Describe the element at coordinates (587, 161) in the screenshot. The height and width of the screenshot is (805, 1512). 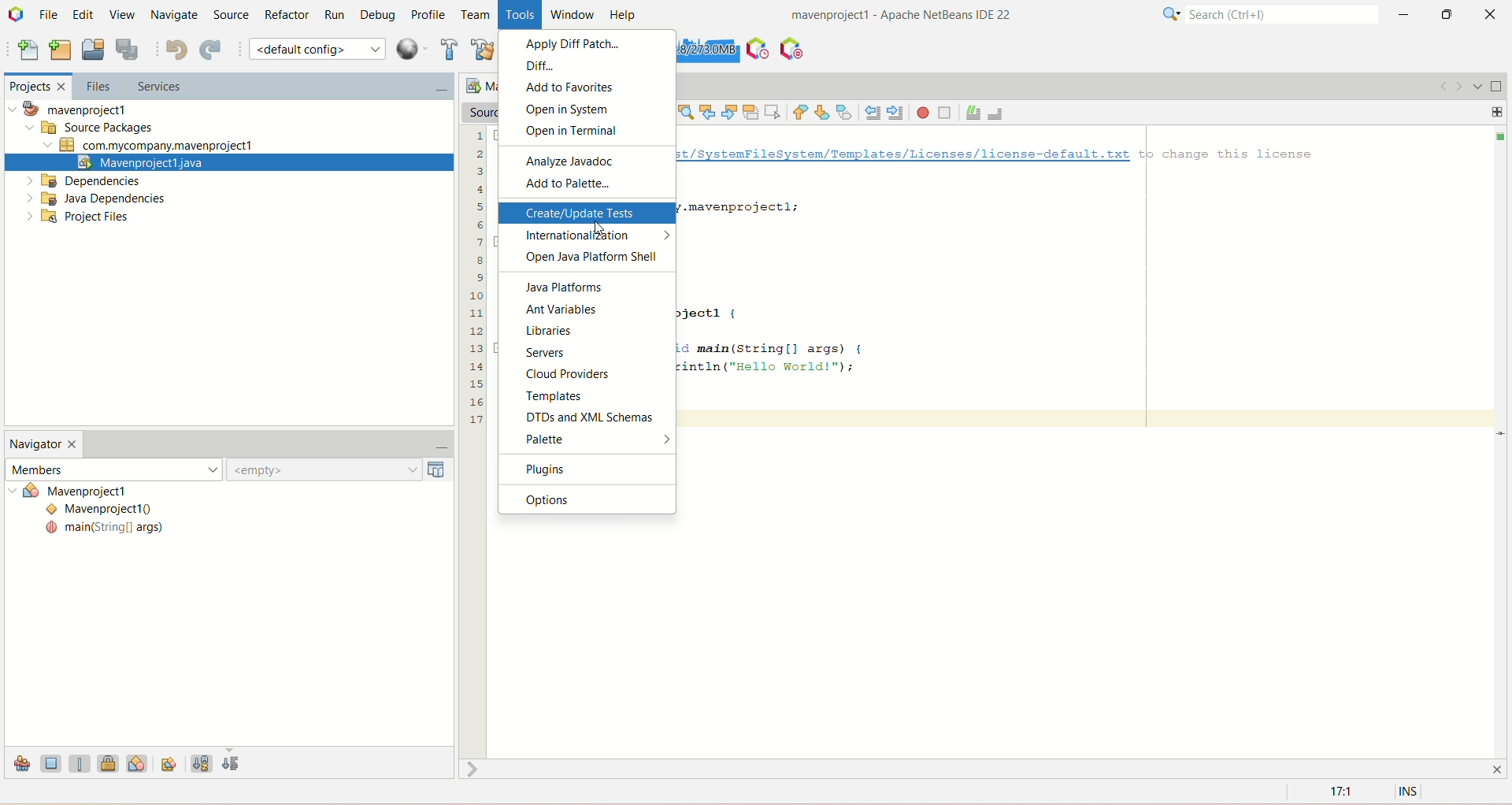
I see `analyze javadoc` at that location.